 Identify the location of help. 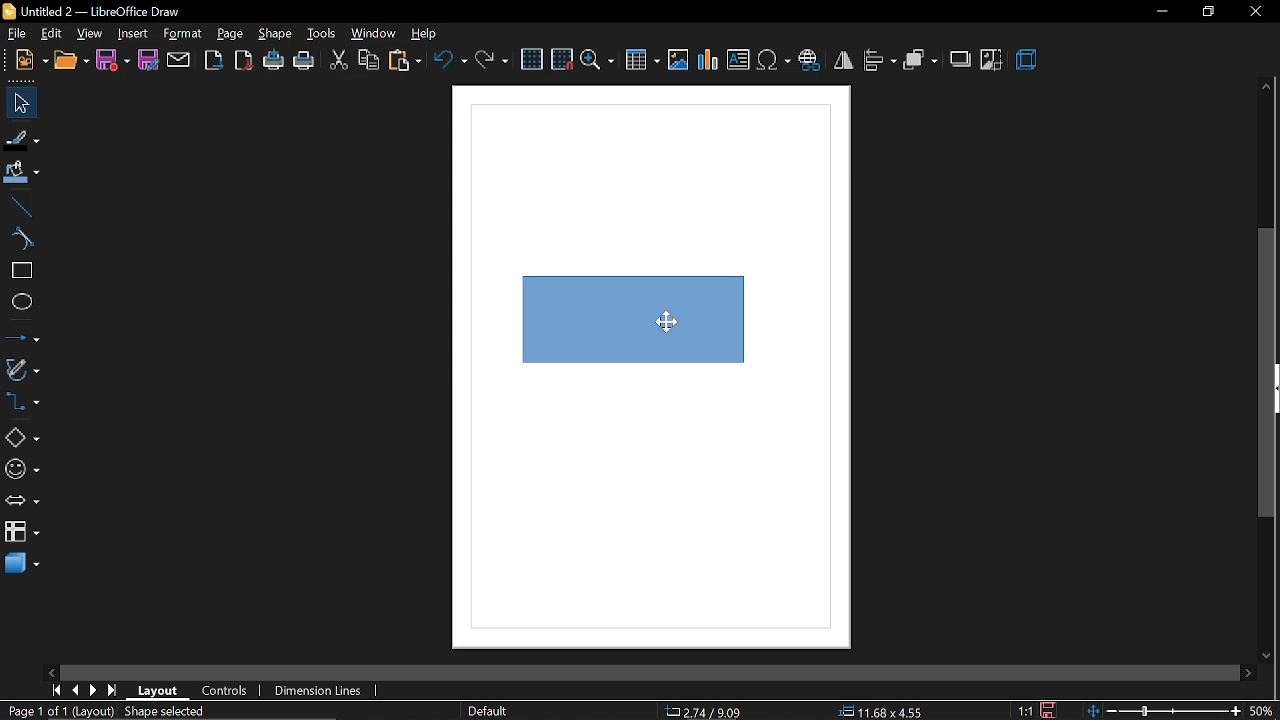
(423, 33).